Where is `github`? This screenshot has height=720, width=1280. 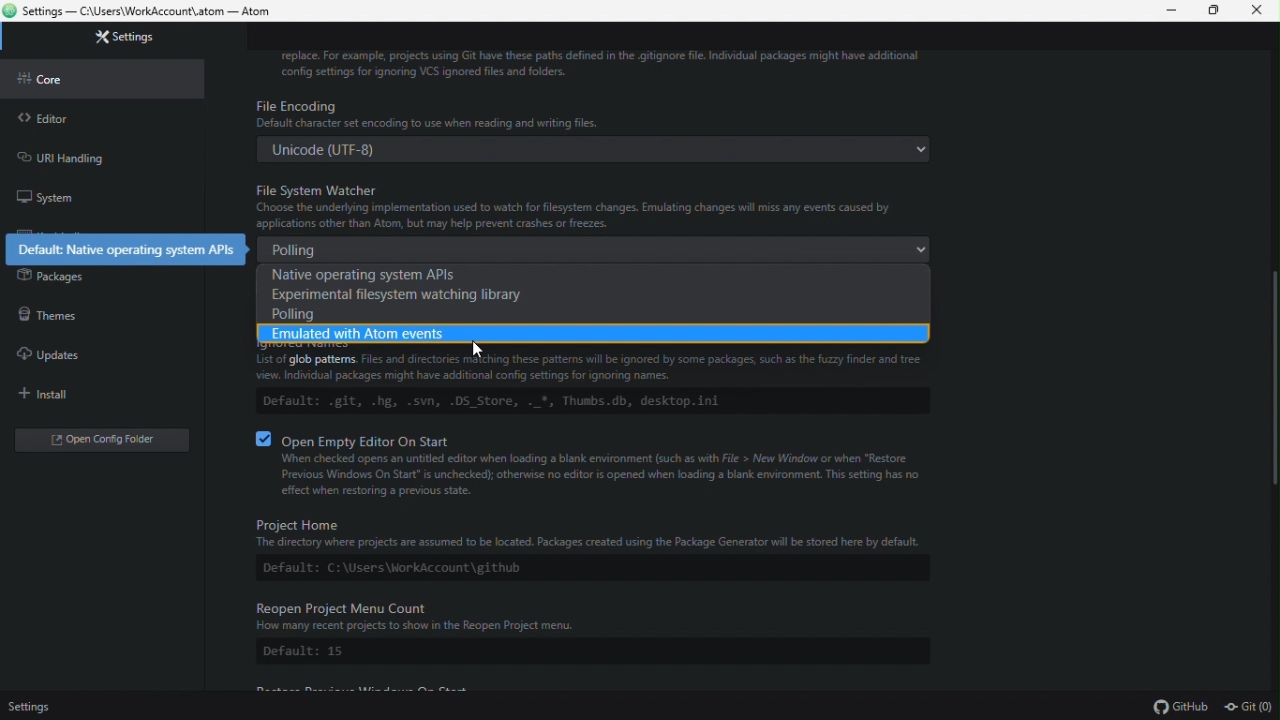
github is located at coordinates (1183, 708).